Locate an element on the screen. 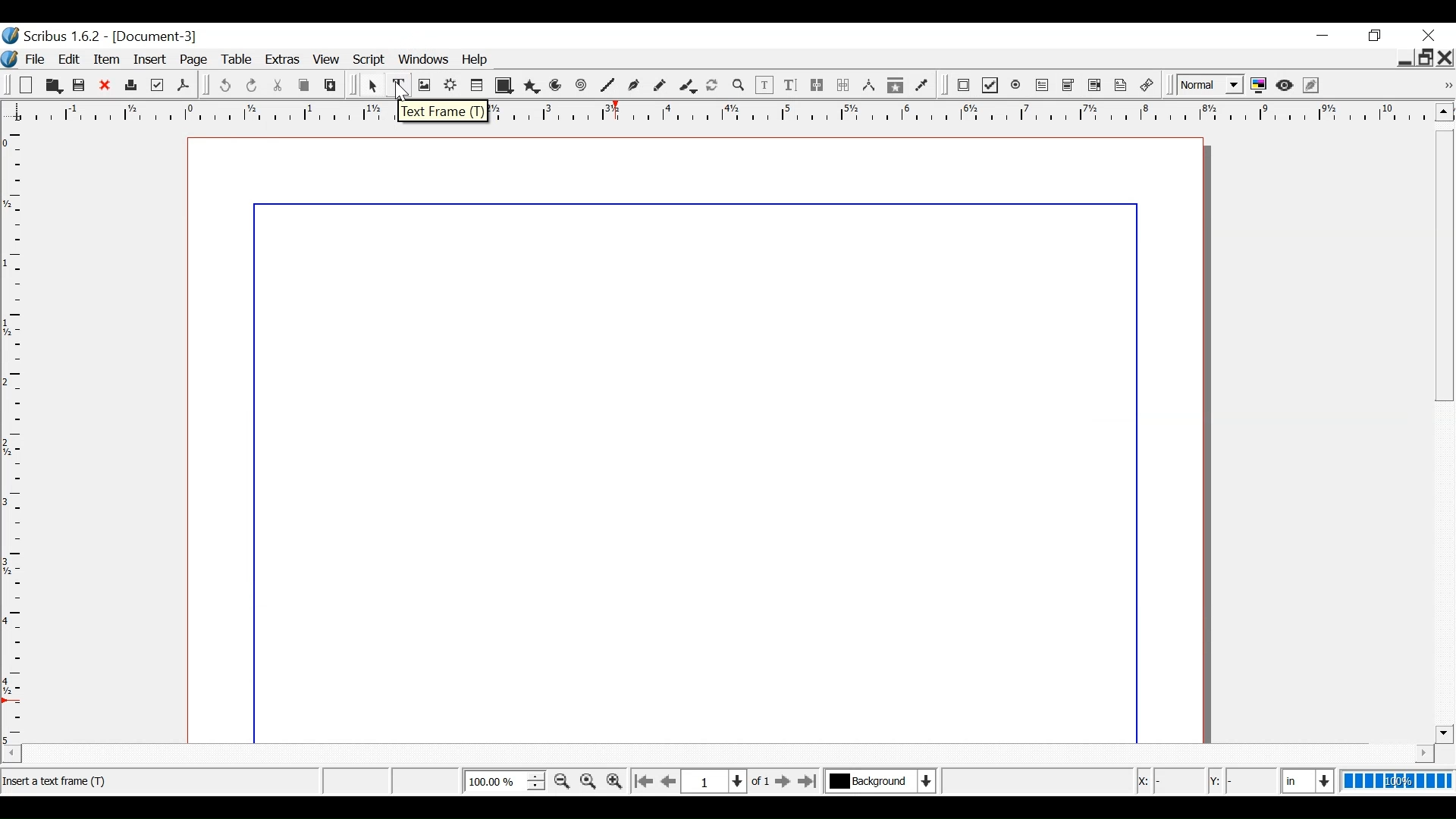 The width and height of the screenshot is (1456, 819). PDF Push Button is located at coordinates (963, 84).